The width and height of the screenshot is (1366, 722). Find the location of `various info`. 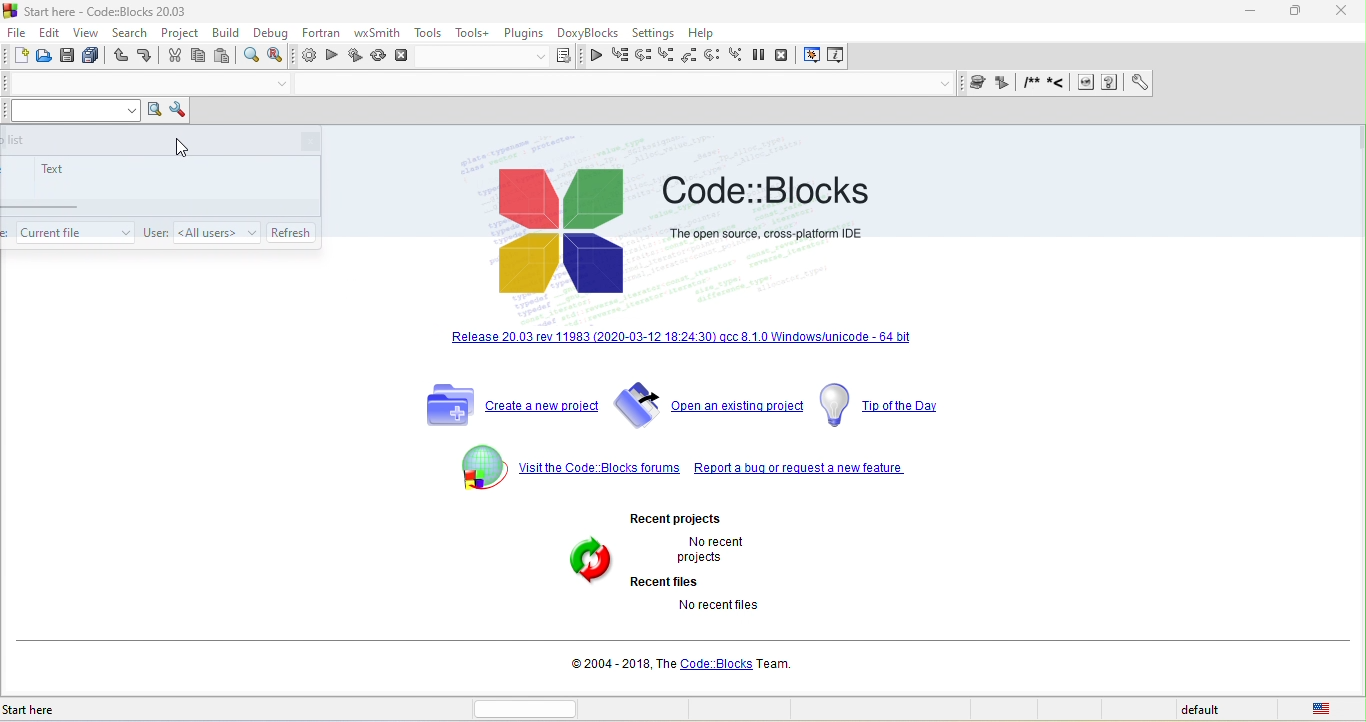

various info is located at coordinates (834, 57).